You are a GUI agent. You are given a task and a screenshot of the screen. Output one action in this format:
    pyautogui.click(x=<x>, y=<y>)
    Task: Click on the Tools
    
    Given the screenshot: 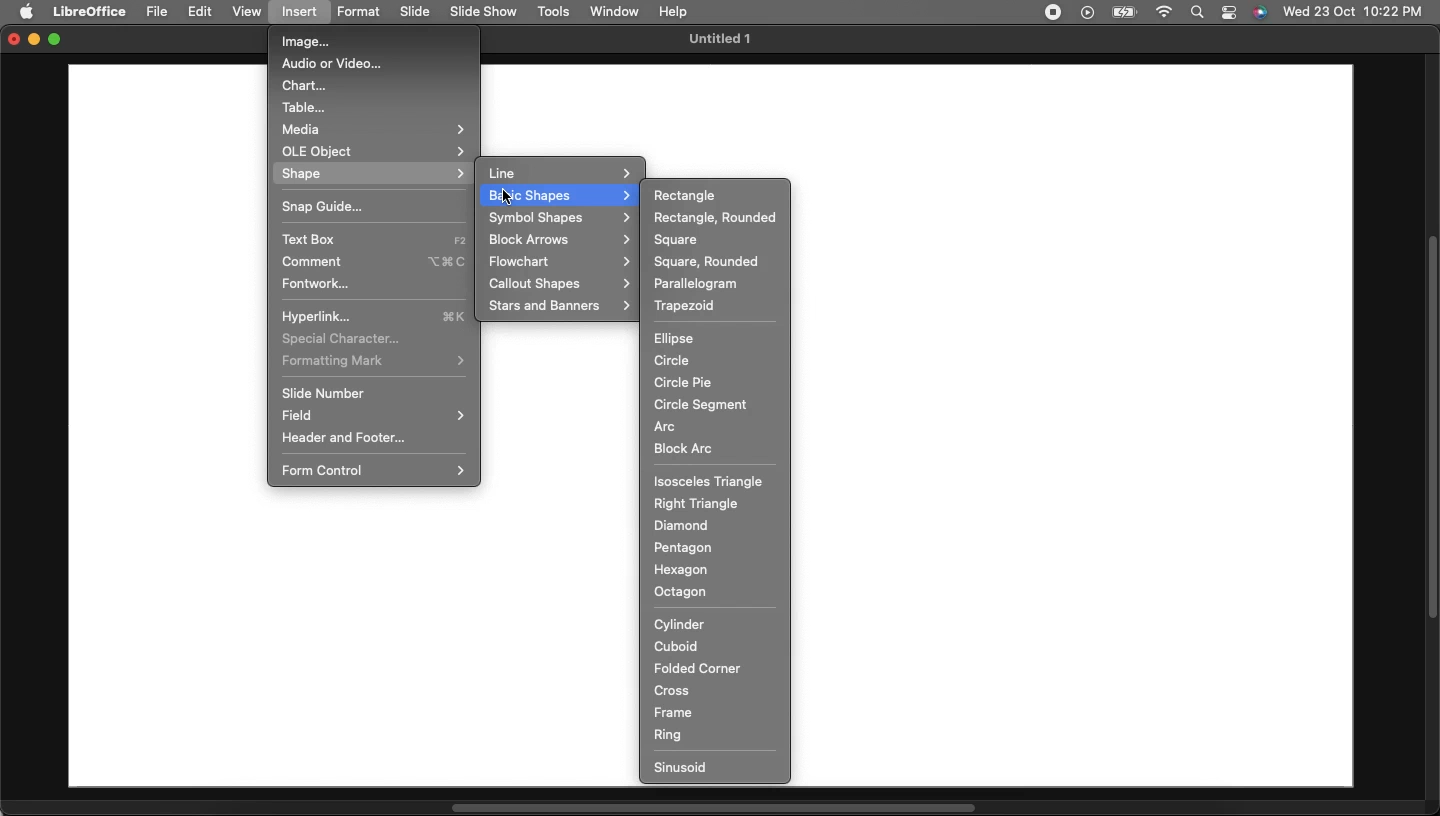 What is the action you would take?
    pyautogui.click(x=555, y=12)
    